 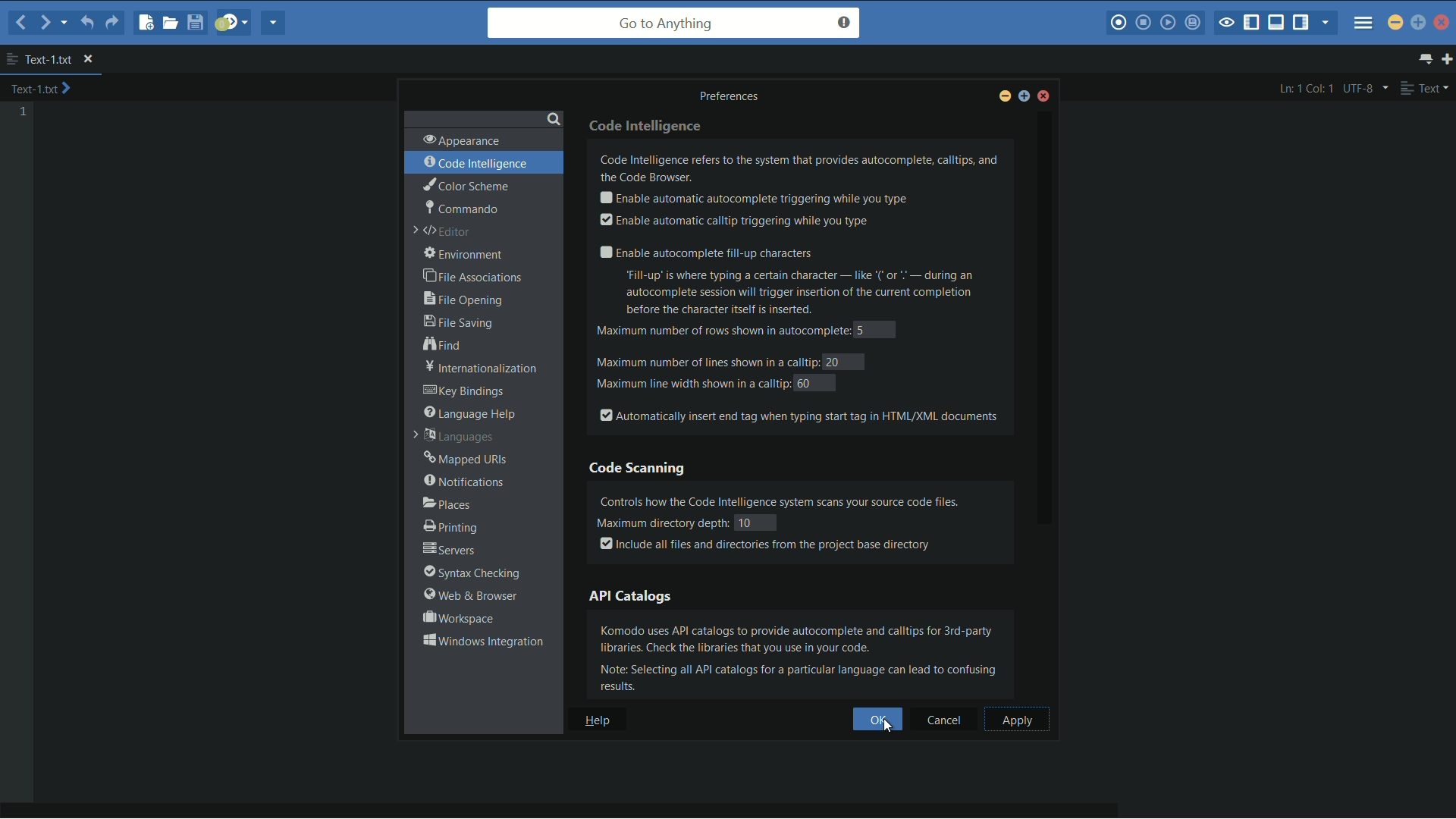 What do you see at coordinates (42, 22) in the screenshot?
I see `forward` at bounding box center [42, 22].